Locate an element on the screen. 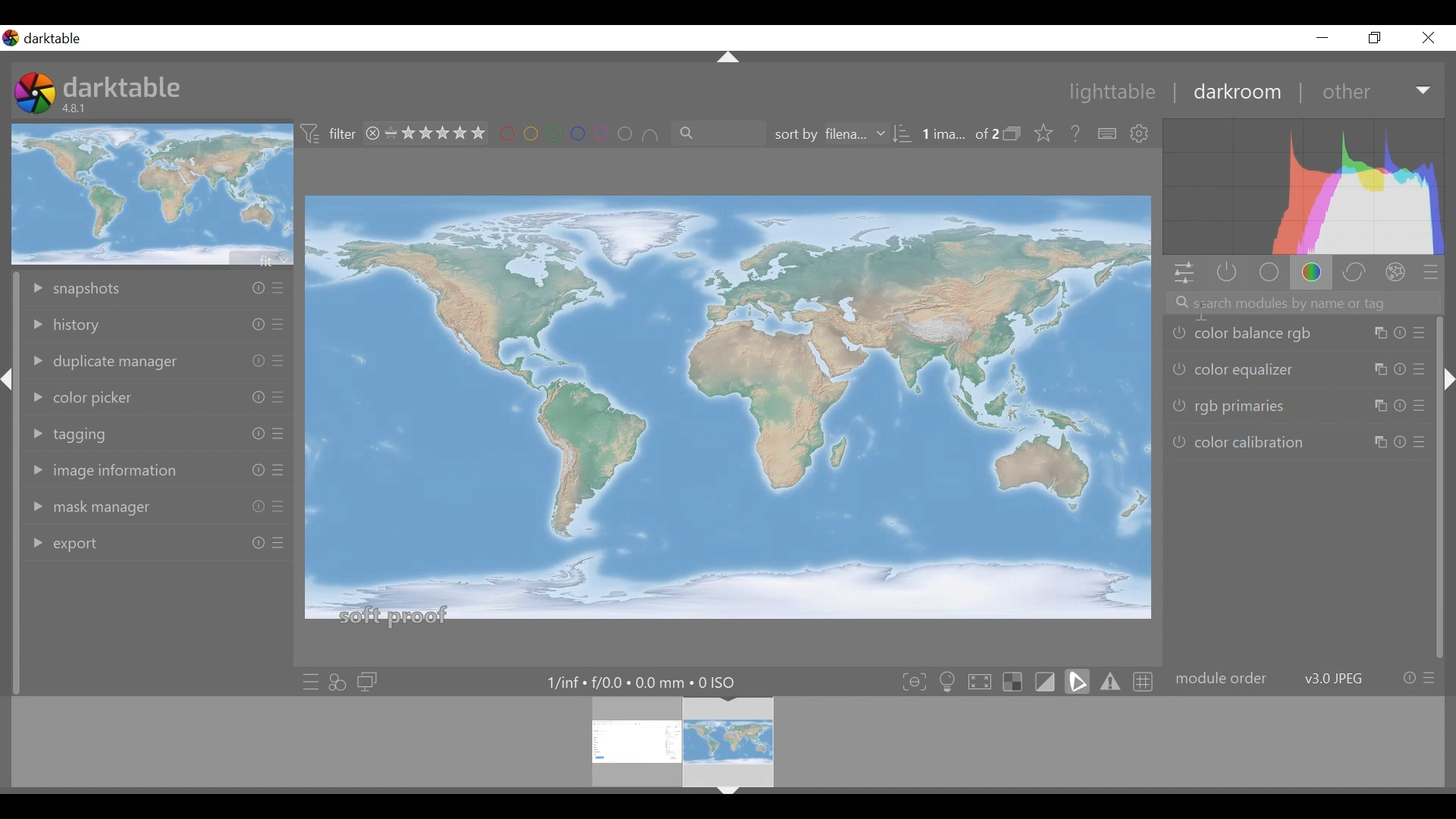 This screenshot has width=1456, height=819.  is located at coordinates (1376, 37).